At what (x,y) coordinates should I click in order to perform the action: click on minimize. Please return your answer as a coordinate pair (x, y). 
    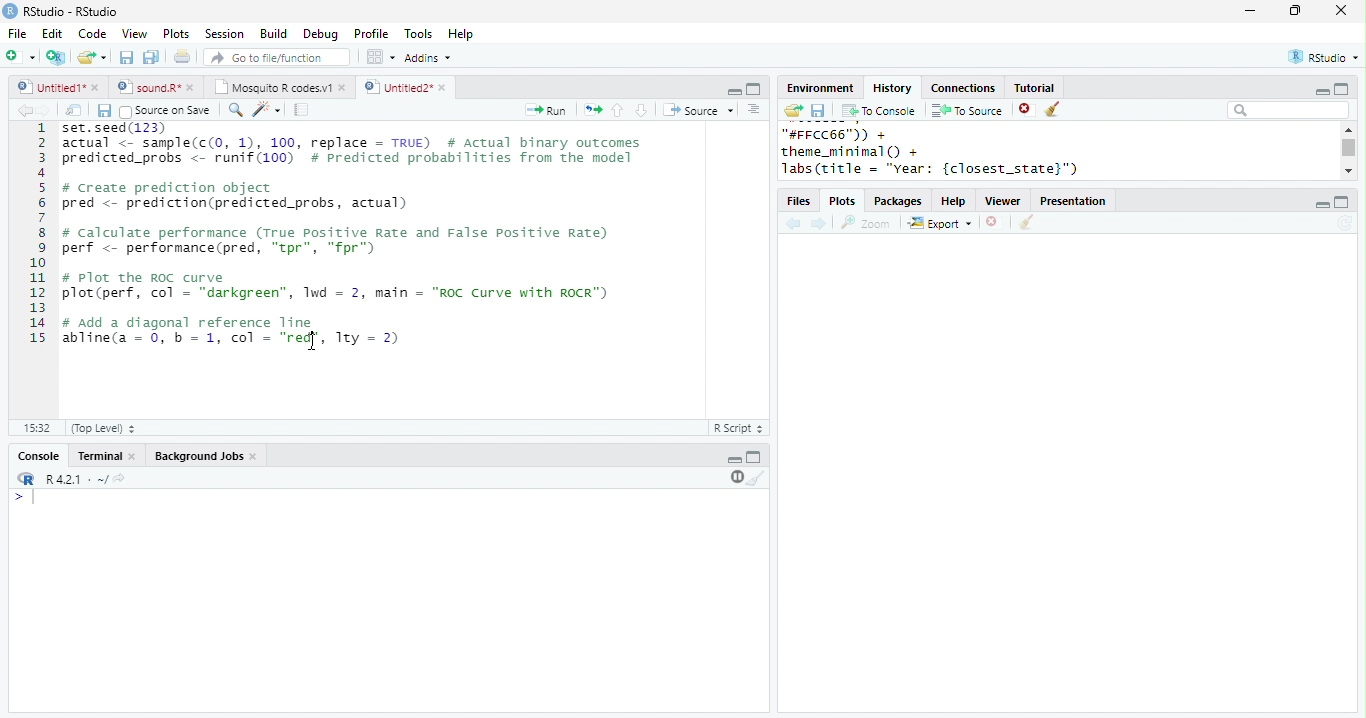
    Looking at the image, I should click on (1321, 205).